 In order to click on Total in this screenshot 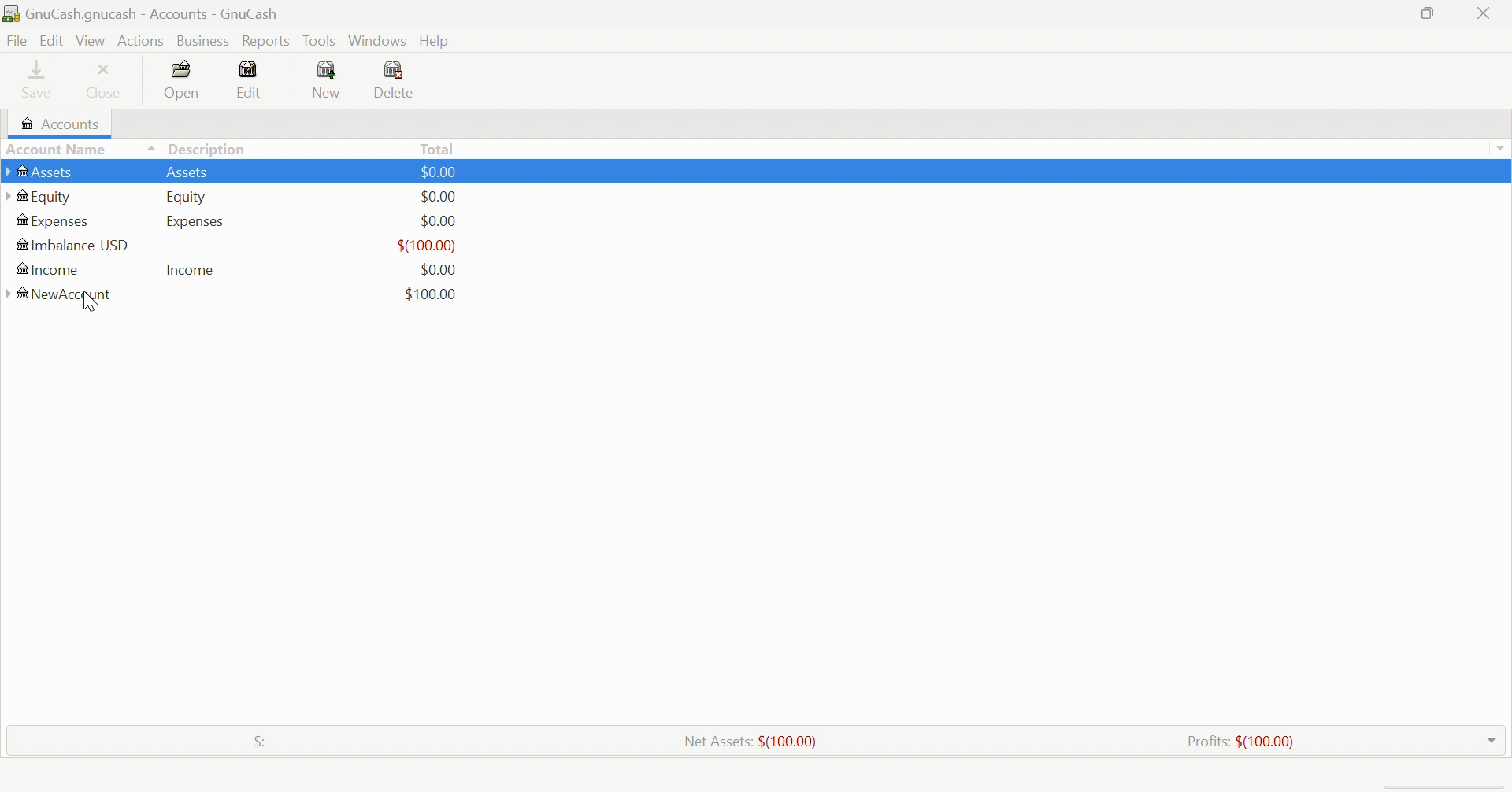, I will do `click(434, 148)`.